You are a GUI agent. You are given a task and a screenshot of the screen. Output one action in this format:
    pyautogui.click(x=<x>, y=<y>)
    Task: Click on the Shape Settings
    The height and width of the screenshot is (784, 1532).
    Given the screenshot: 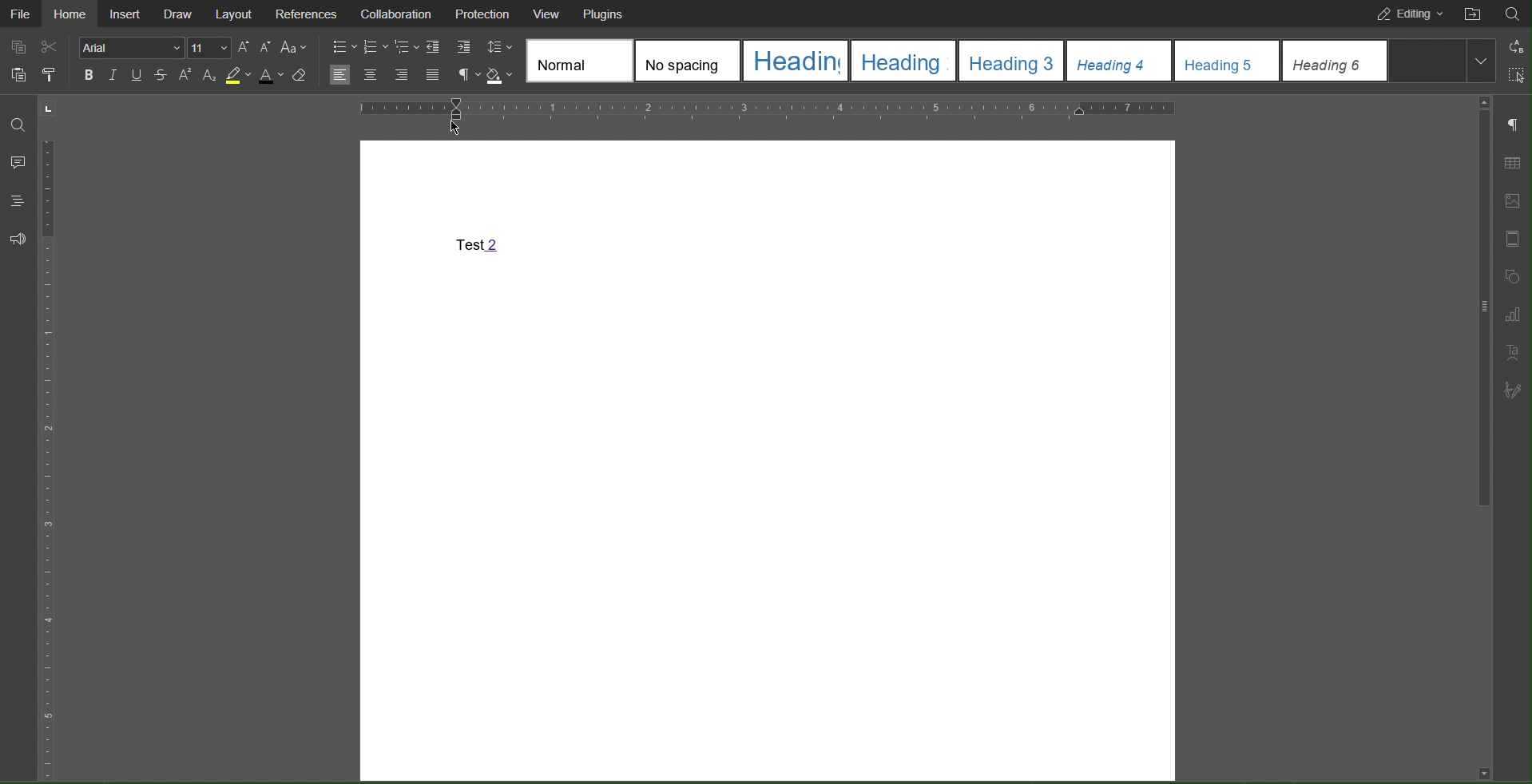 What is the action you would take?
    pyautogui.click(x=1514, y=275)
    